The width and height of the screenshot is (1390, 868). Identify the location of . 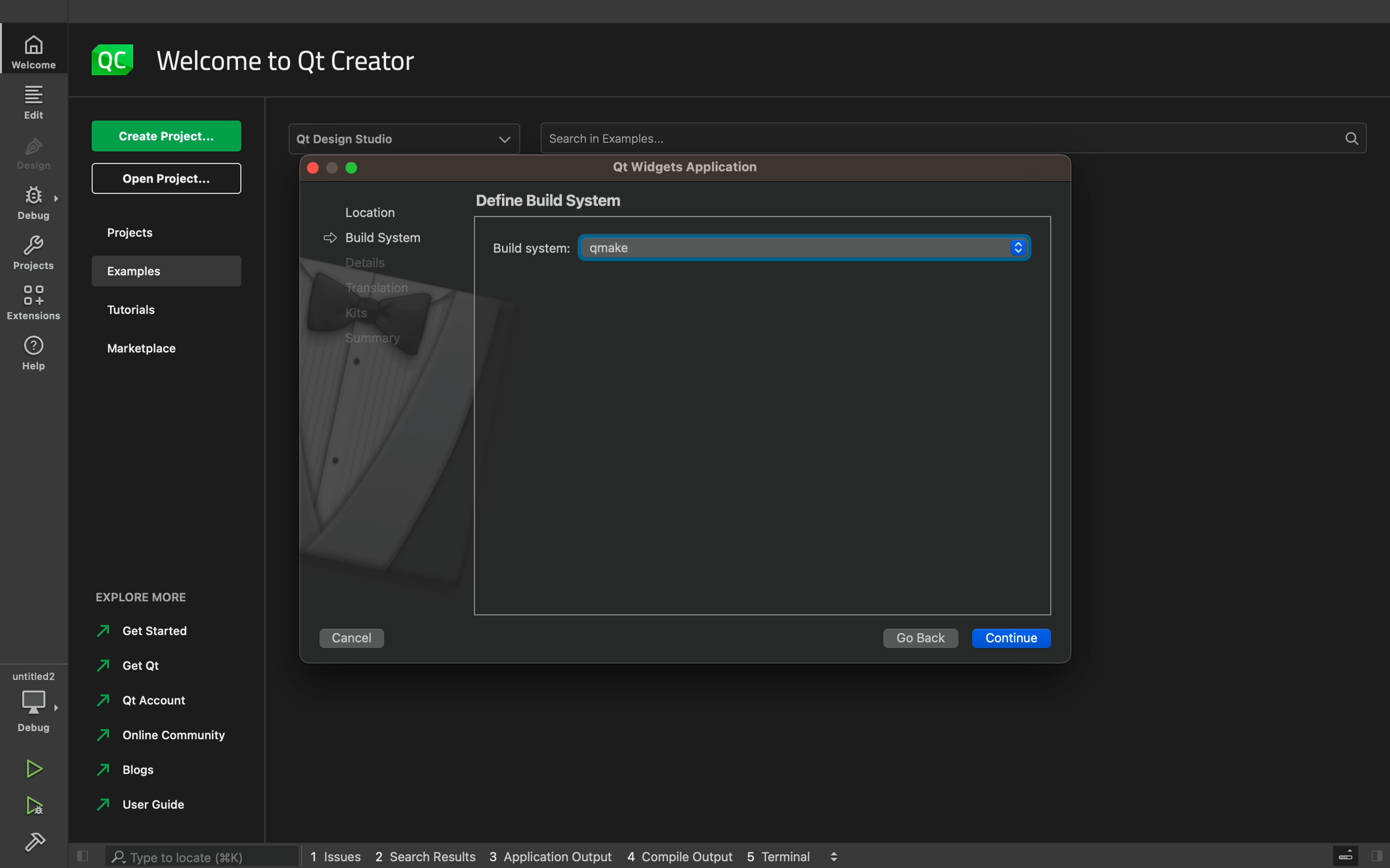
(34, 203).